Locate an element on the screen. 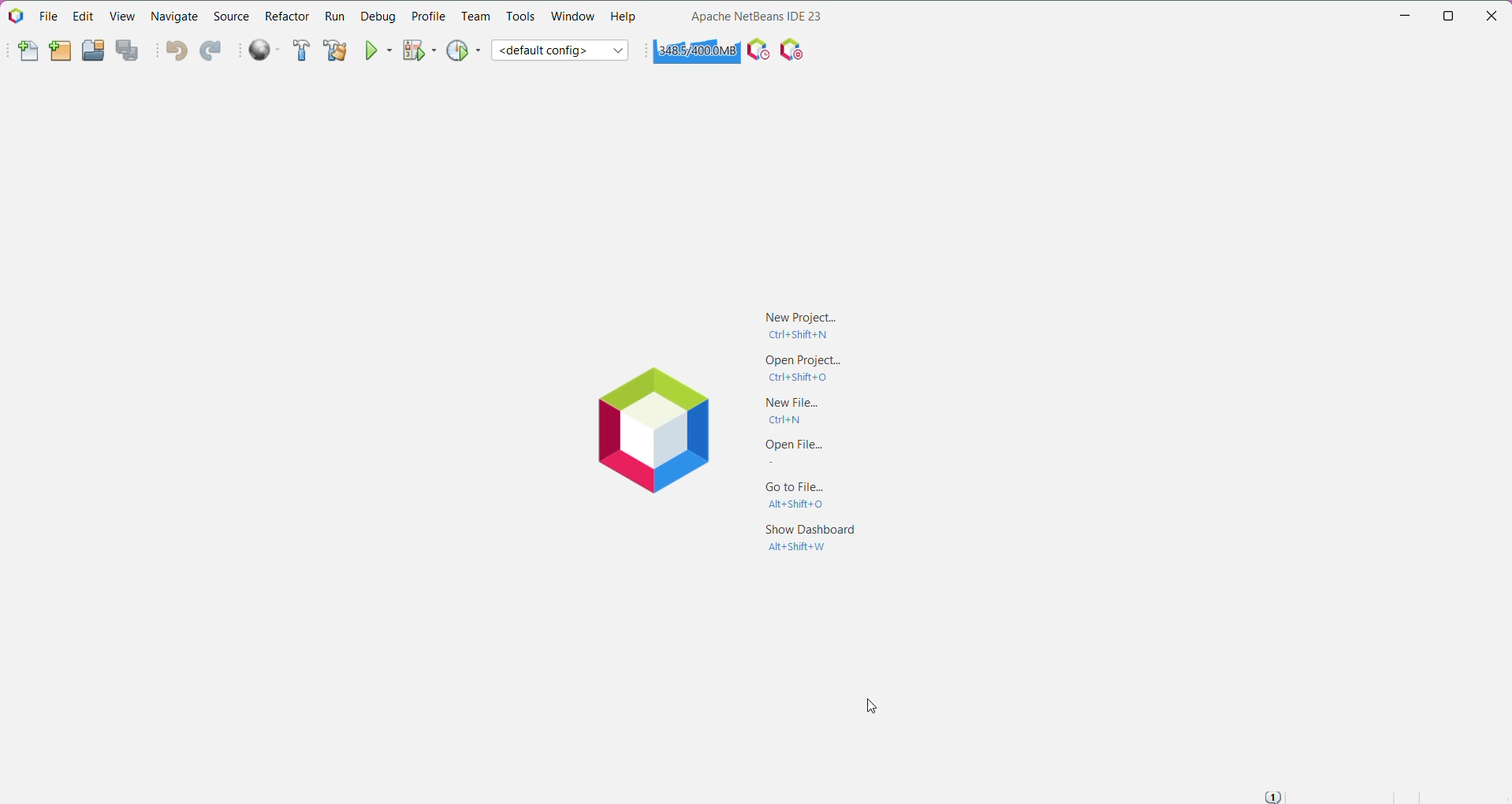  Help is located at coordinates (624, 18).